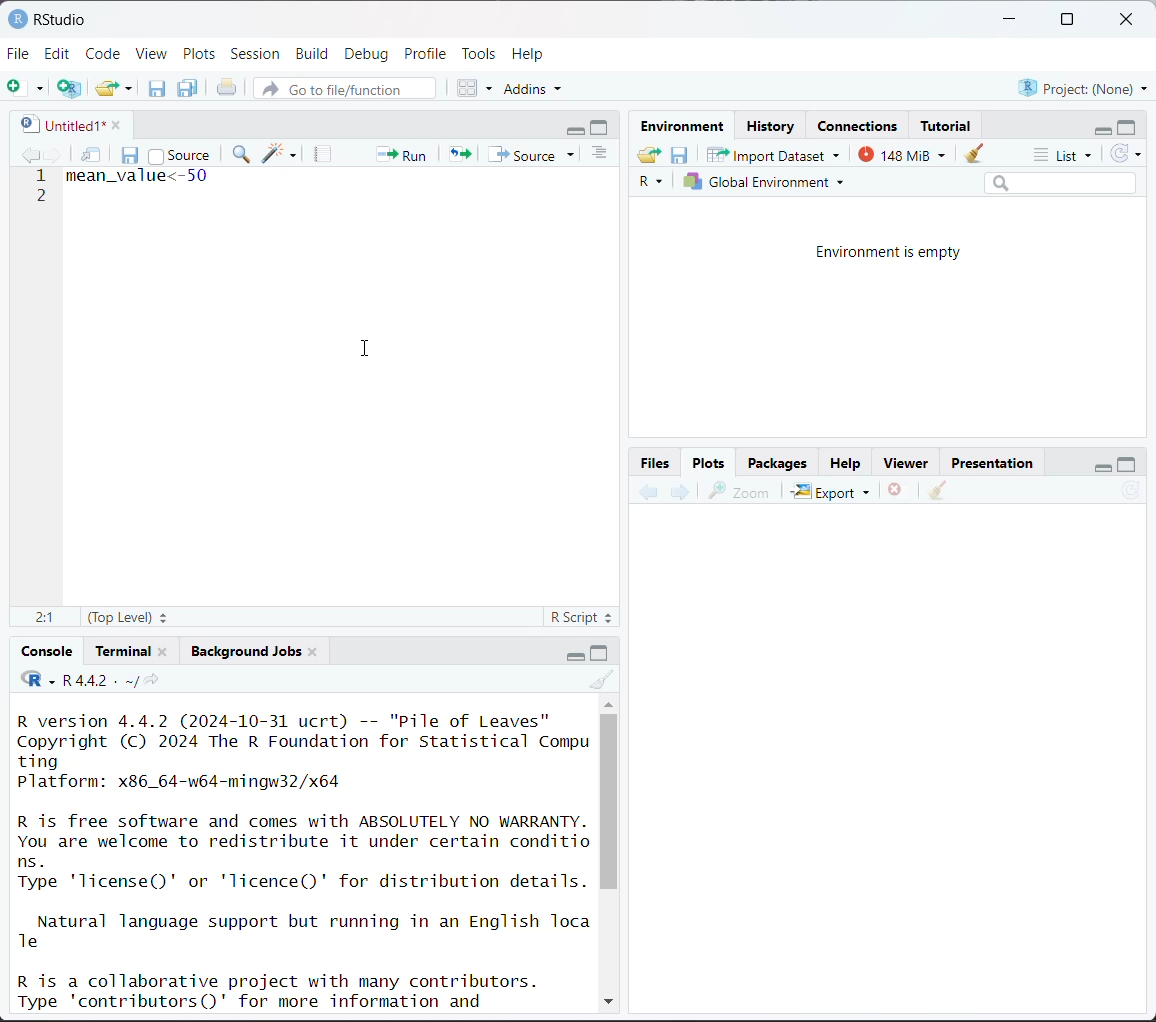  What do you see at coordinates (280, 153) in the screenshot?
I see `code tools` at bounding box center [280, 153].